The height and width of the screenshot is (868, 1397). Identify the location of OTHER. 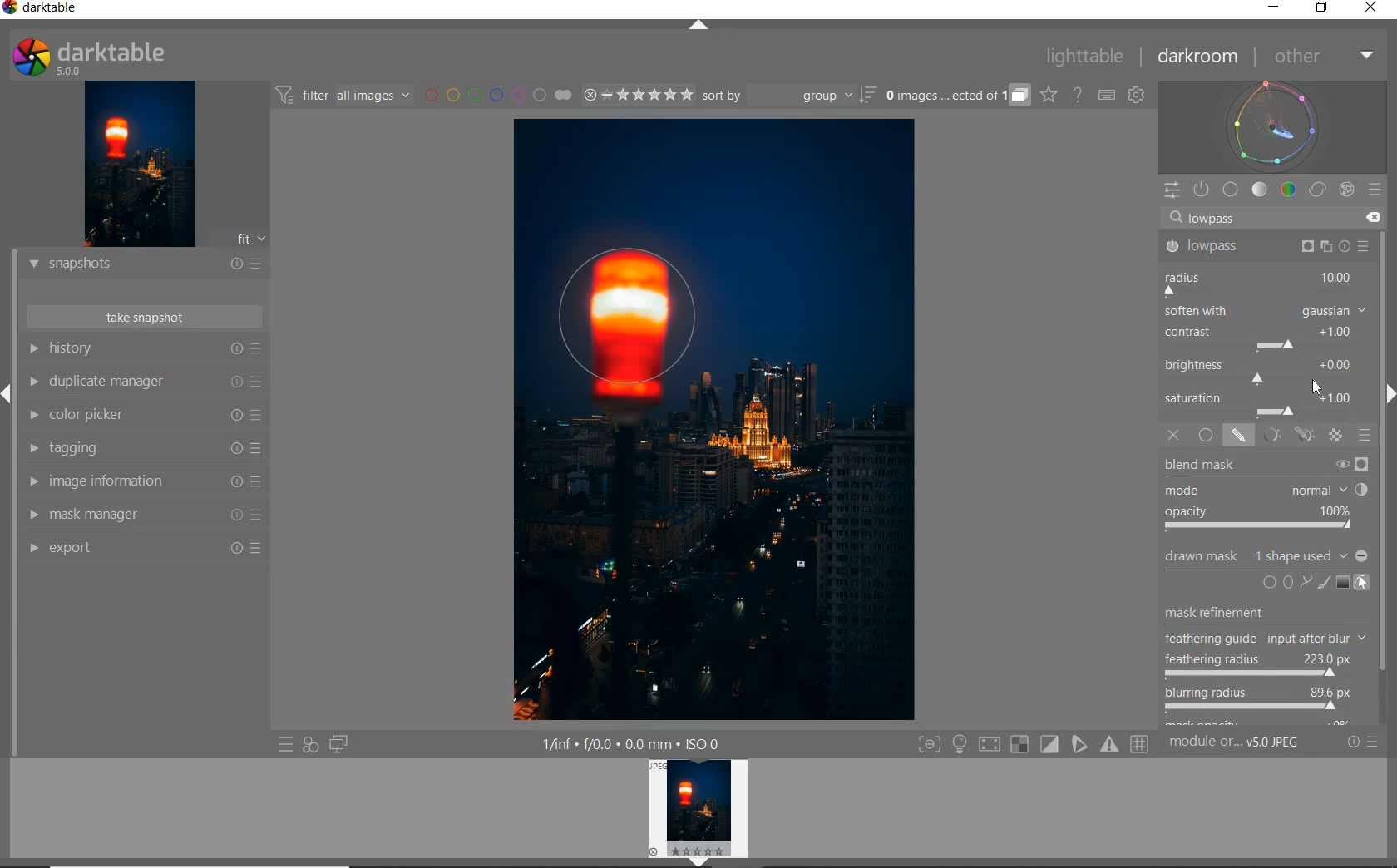
(1323, 57).